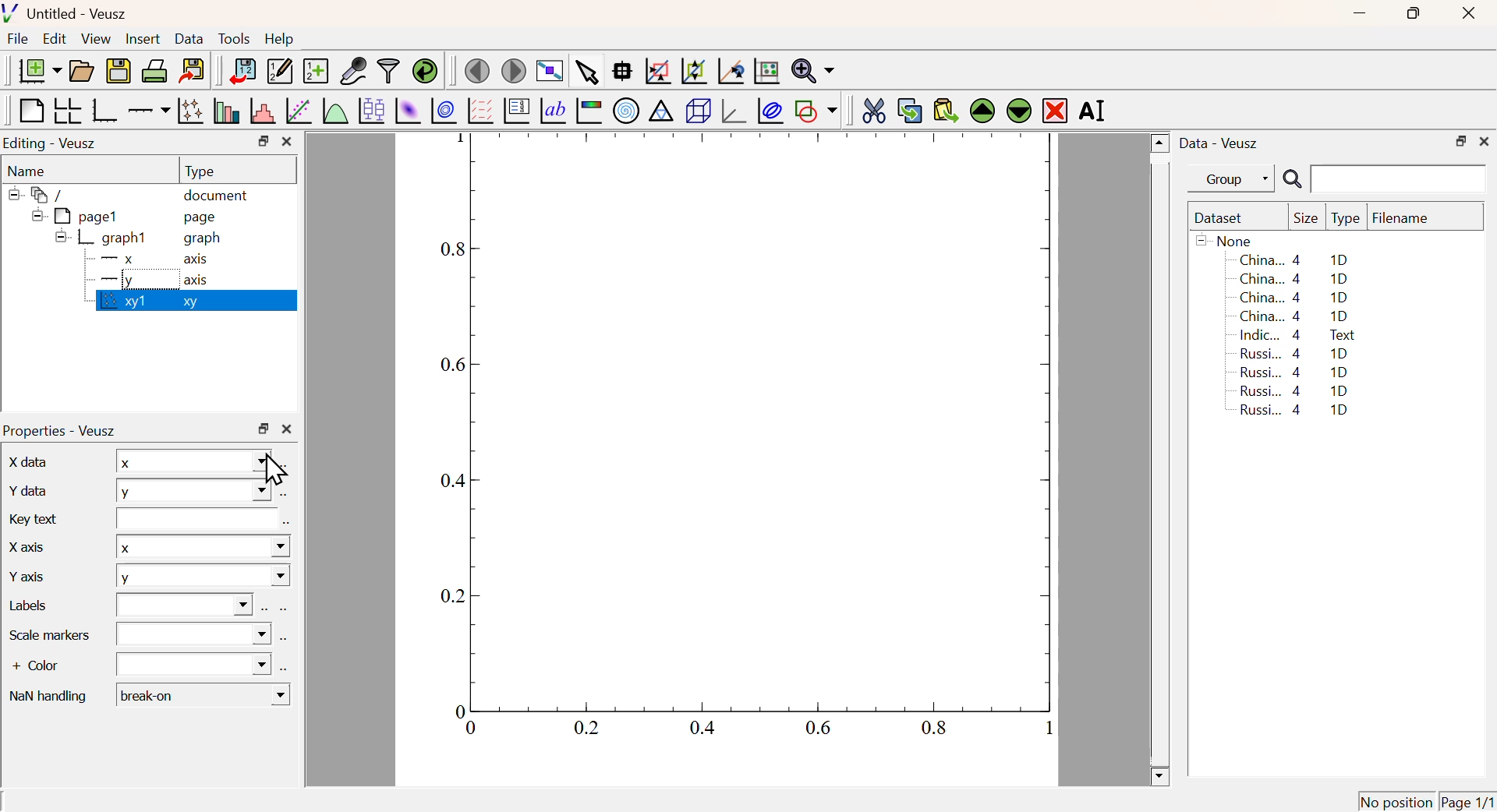 This screenshot has width=1497, height=812. I want to click on Draw rectangle to zoom graph axis, so click(656, 71).